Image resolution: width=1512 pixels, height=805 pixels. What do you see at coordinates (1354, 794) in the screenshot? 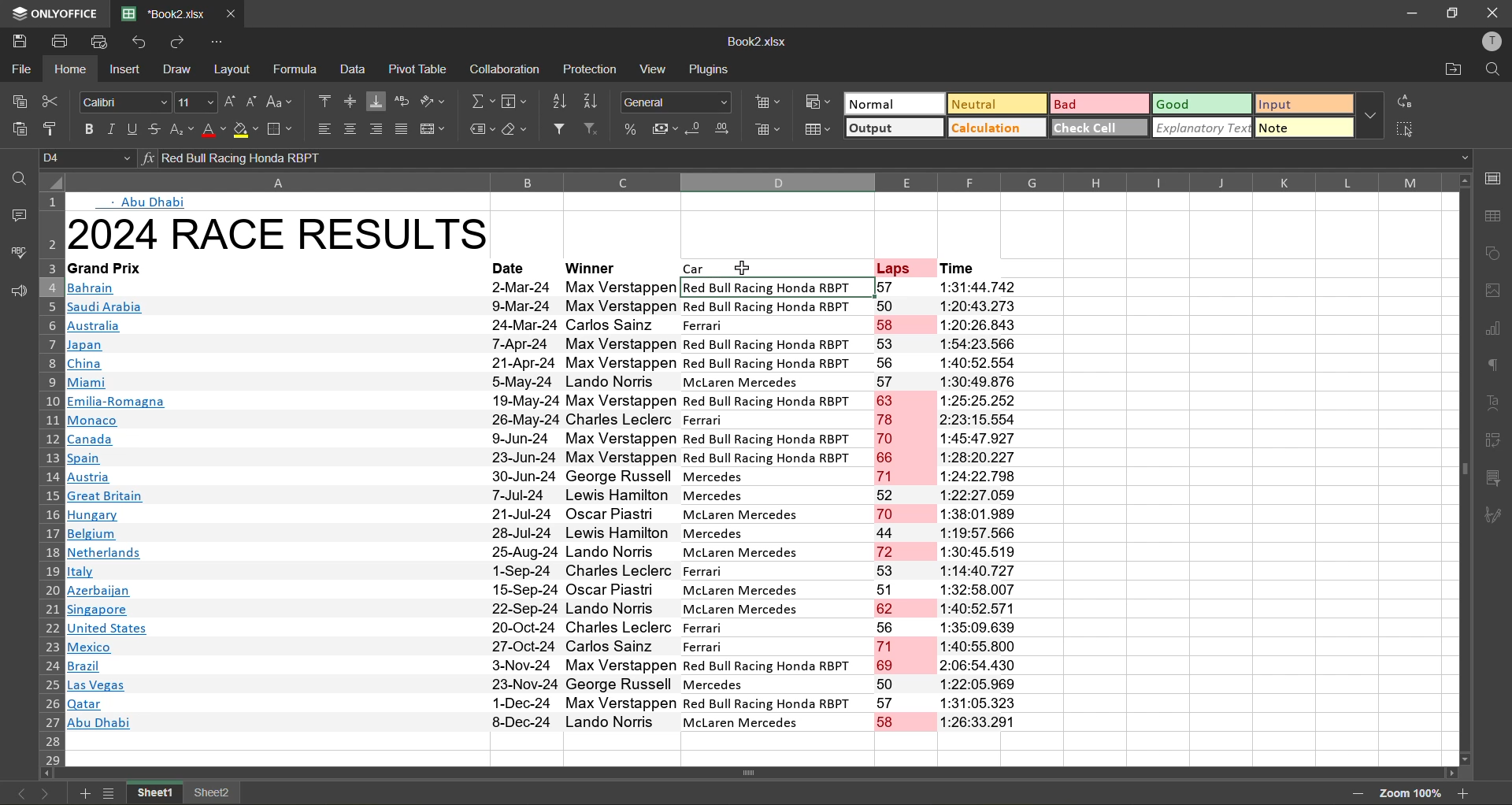
I see `zoom out` at bounding box center [1354, 794].